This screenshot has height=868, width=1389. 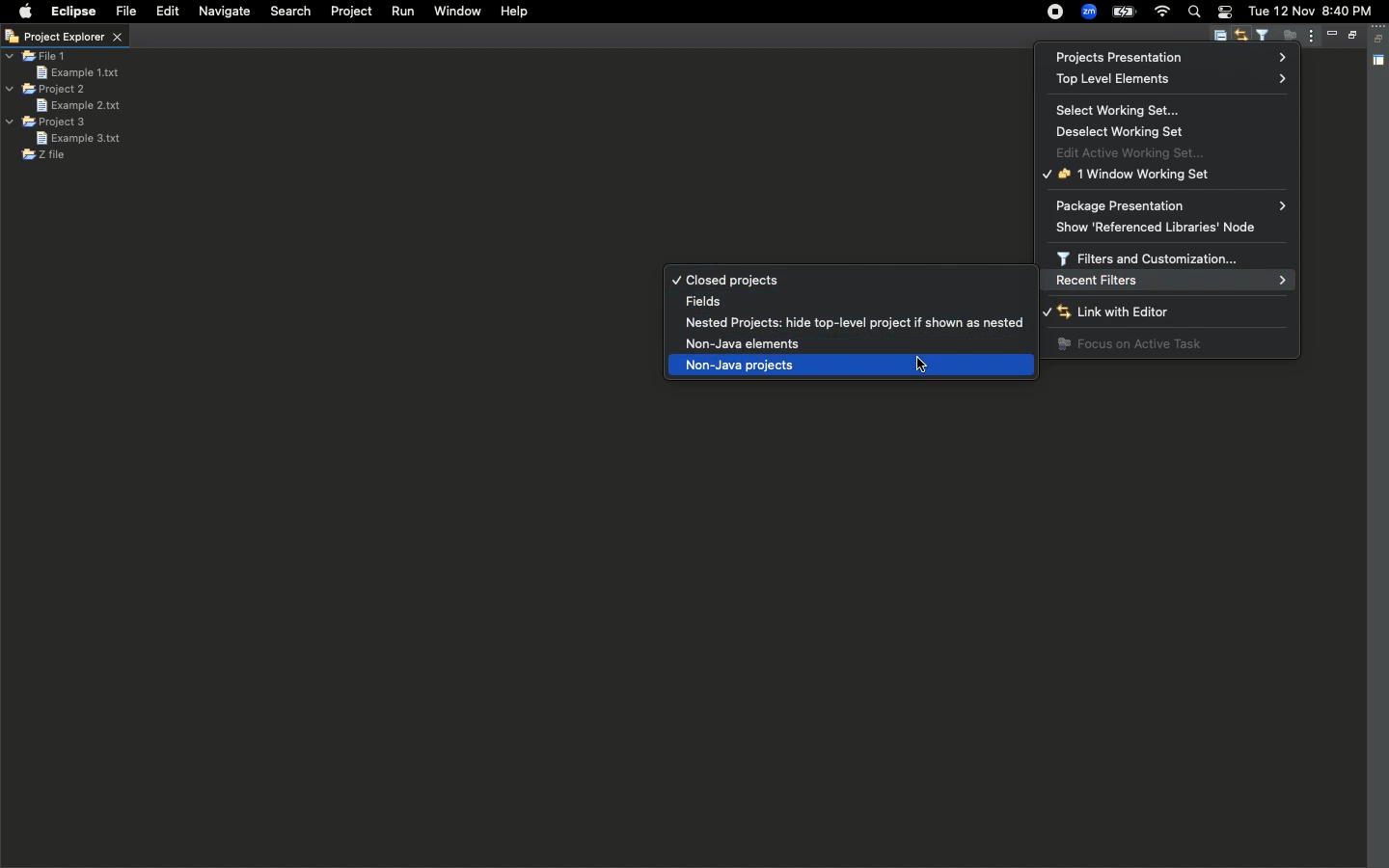 What do you see at coordinates (456, 14) in the screenshot?
I see `Window` at bounding box center [456, 14].